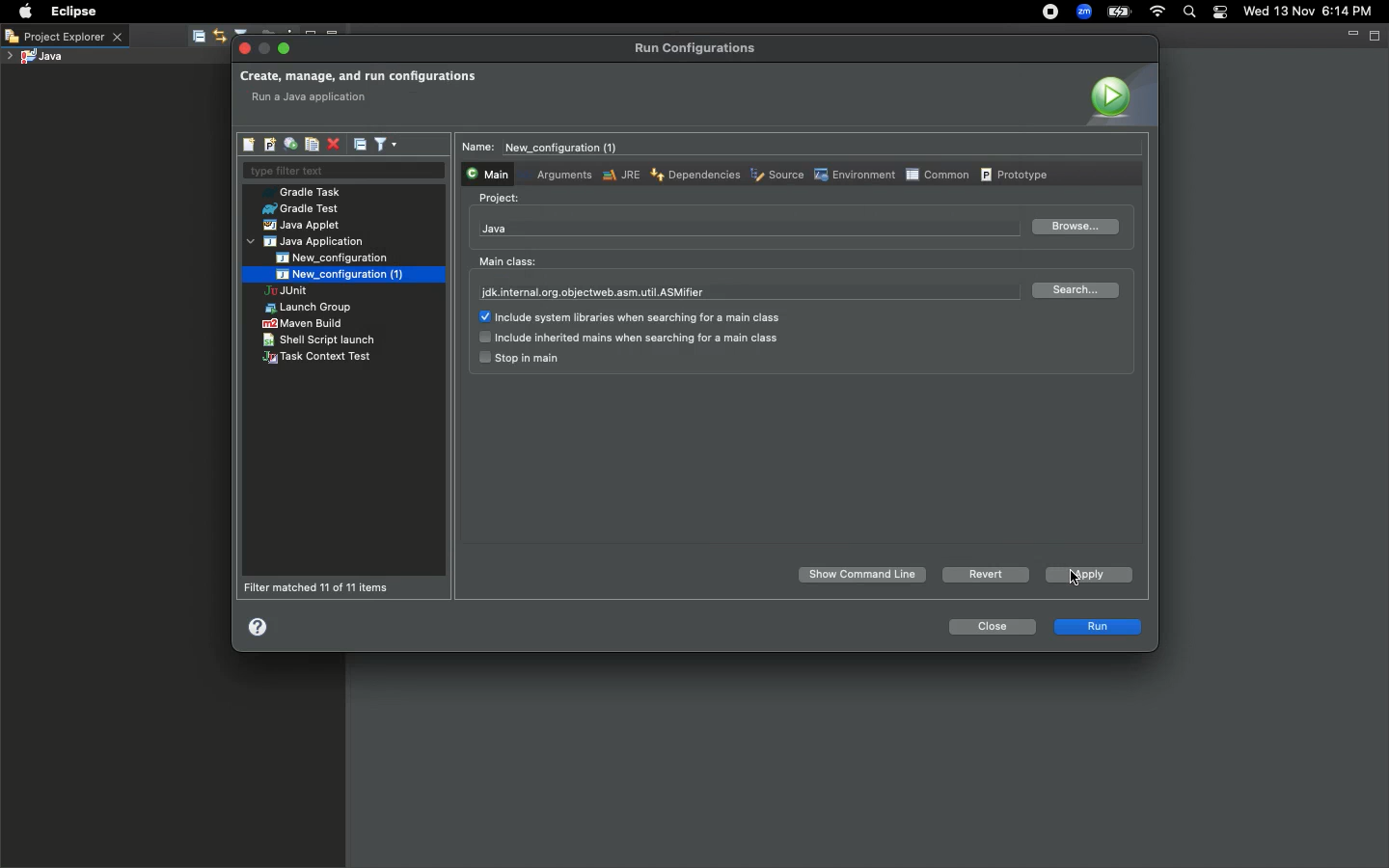  Describe the element at coordinates (71, 12) in the screenshot. I see `Eclipse` at that location.